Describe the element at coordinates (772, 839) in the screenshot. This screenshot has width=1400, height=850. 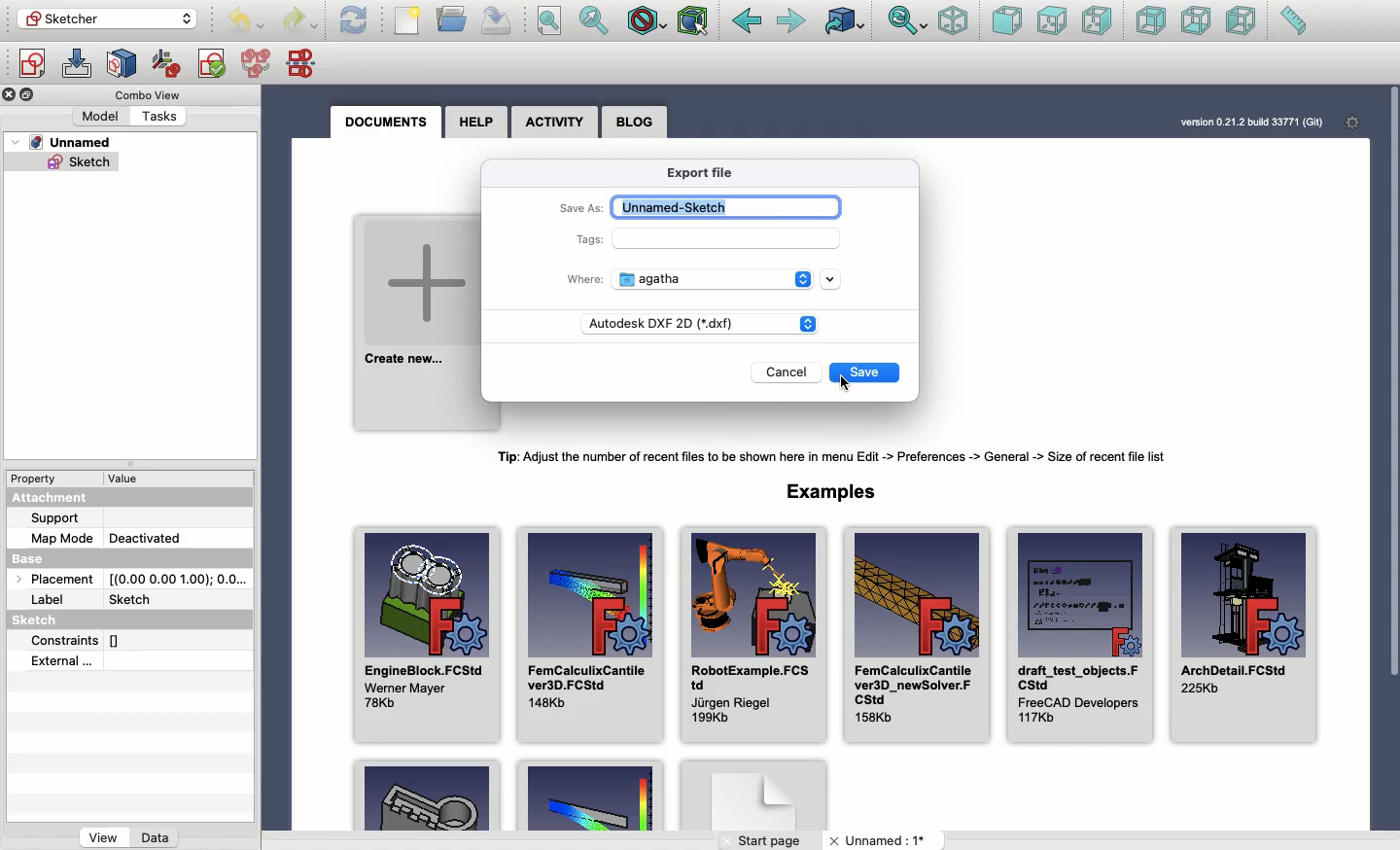
I see `Start page` at that location.